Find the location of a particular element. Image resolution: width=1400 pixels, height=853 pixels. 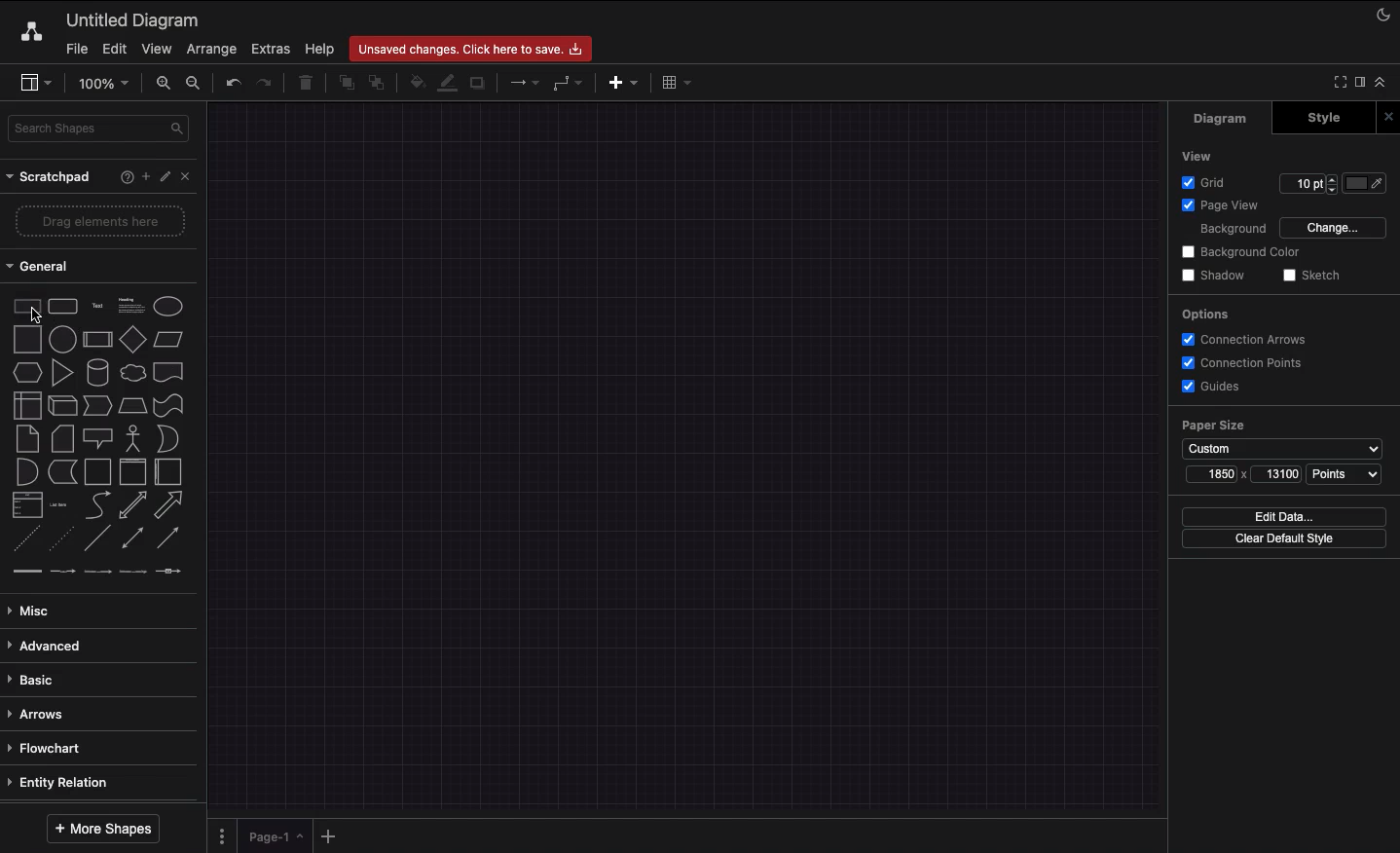

Help is located at coordinates (317, 49).